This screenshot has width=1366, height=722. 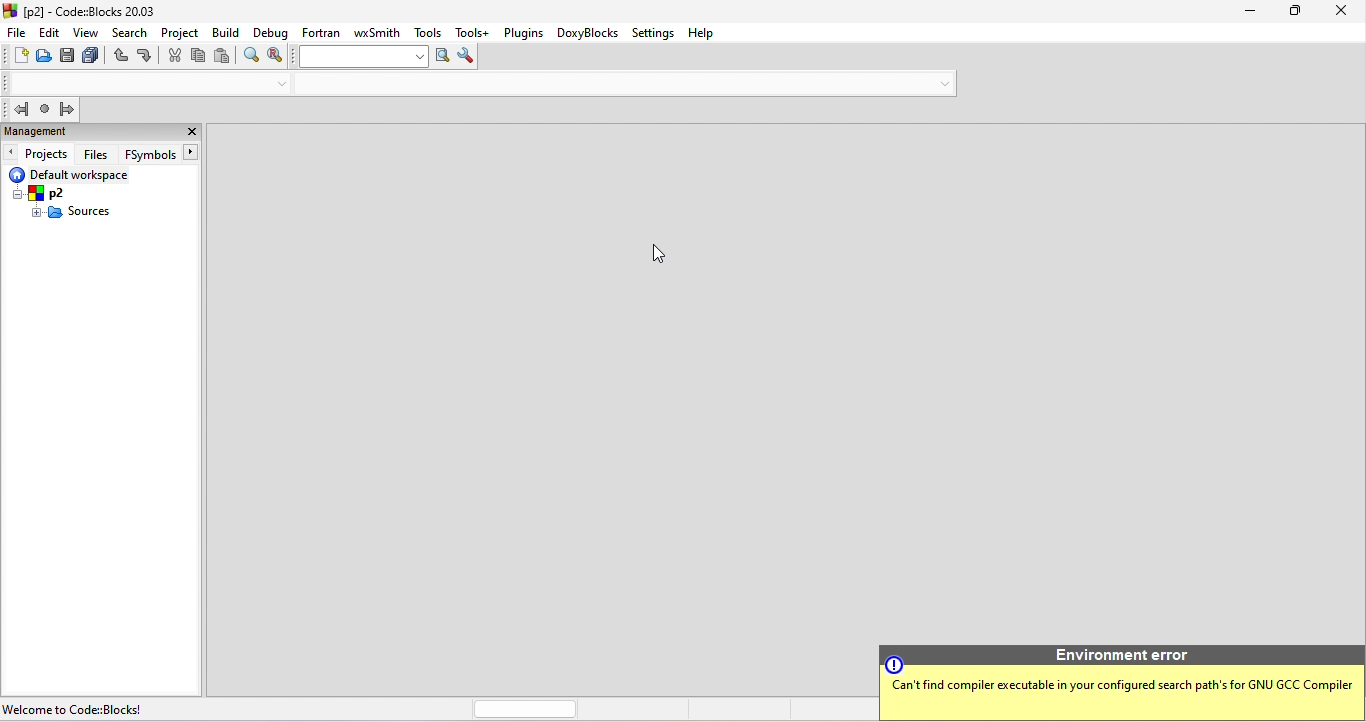 I want to click on copy, so click(x=199, y=58).